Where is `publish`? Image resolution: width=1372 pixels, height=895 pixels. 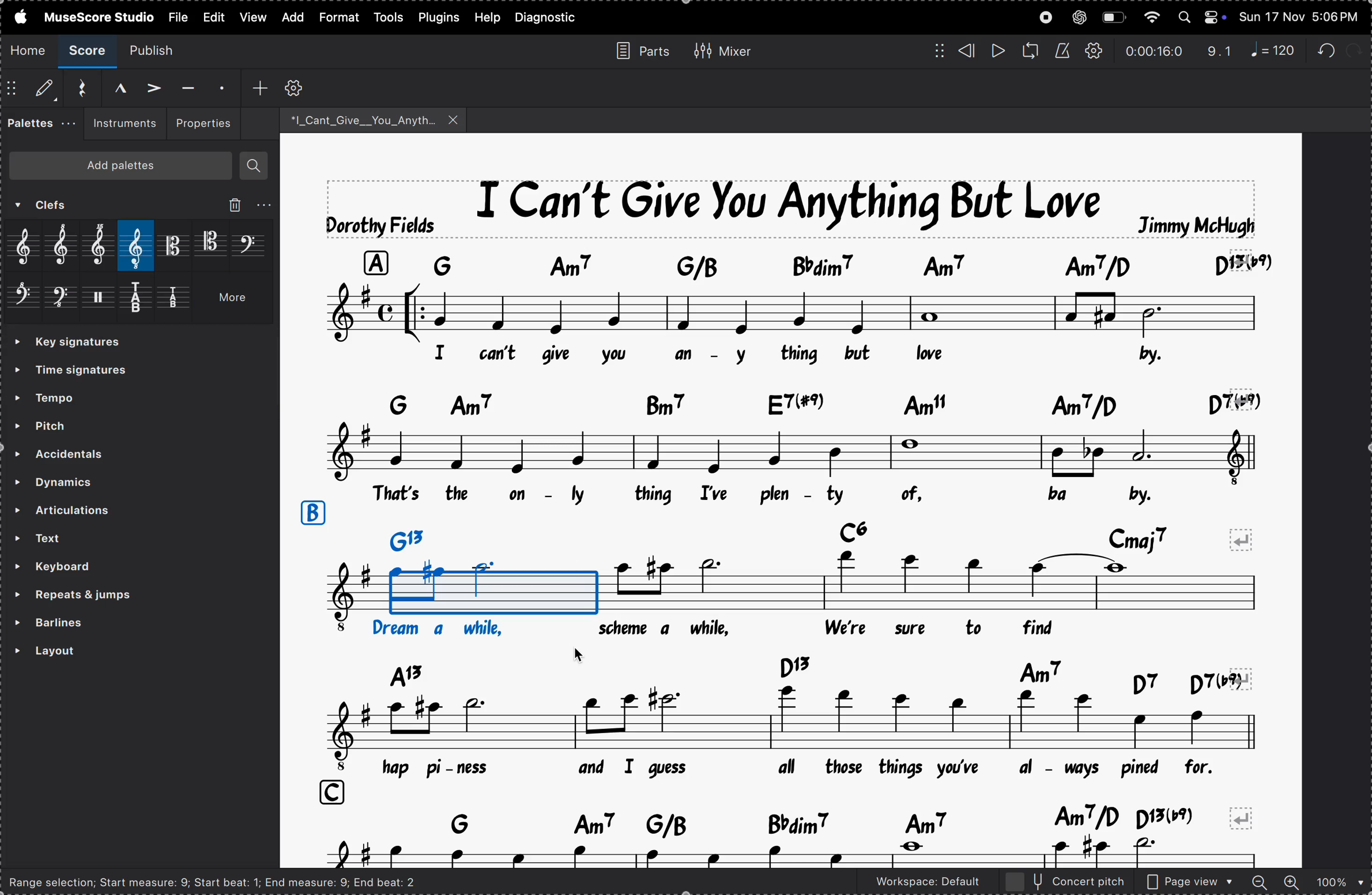 publish is located at coordinates (159, 50).